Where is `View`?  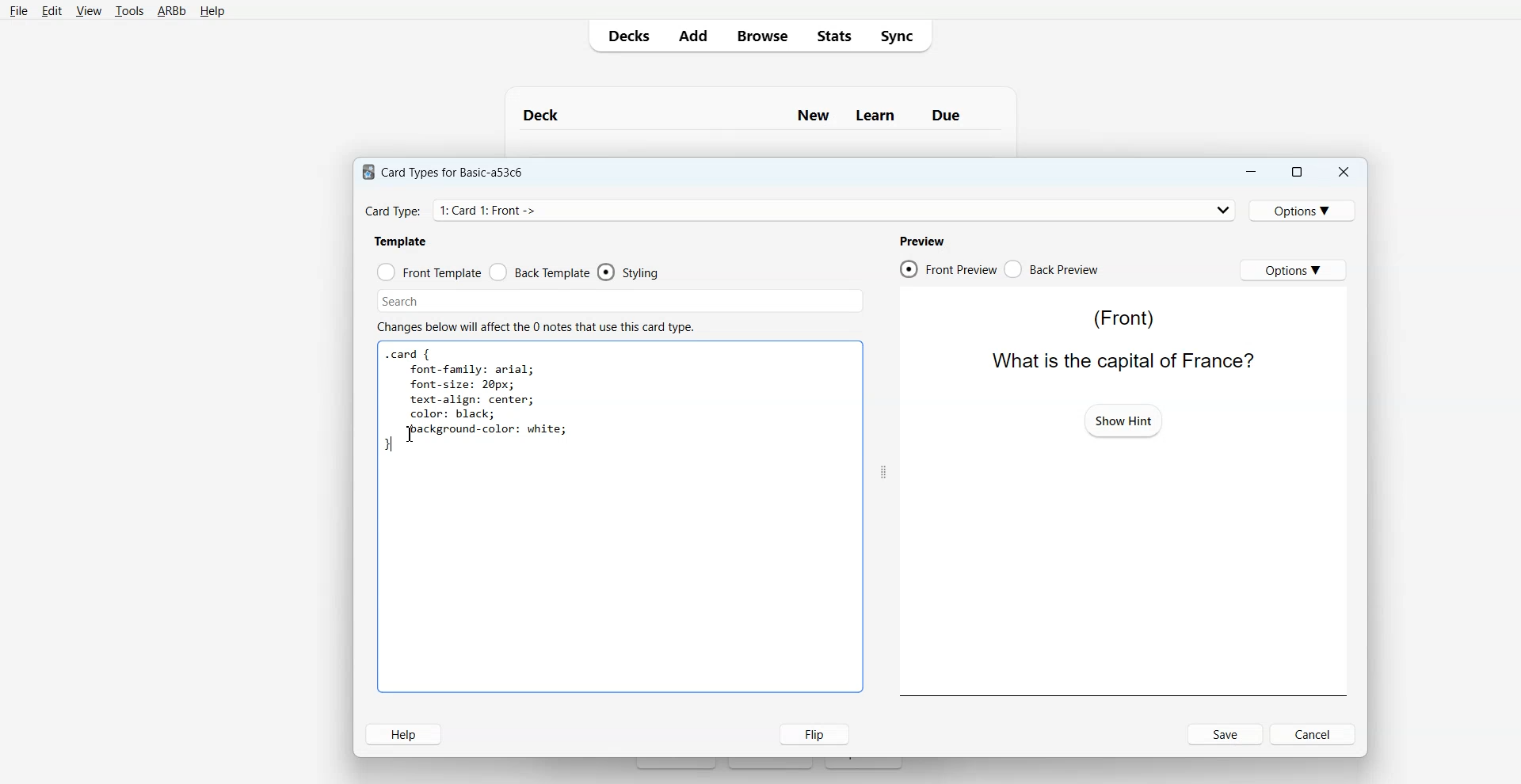 View is located at coordinates (89, 11).